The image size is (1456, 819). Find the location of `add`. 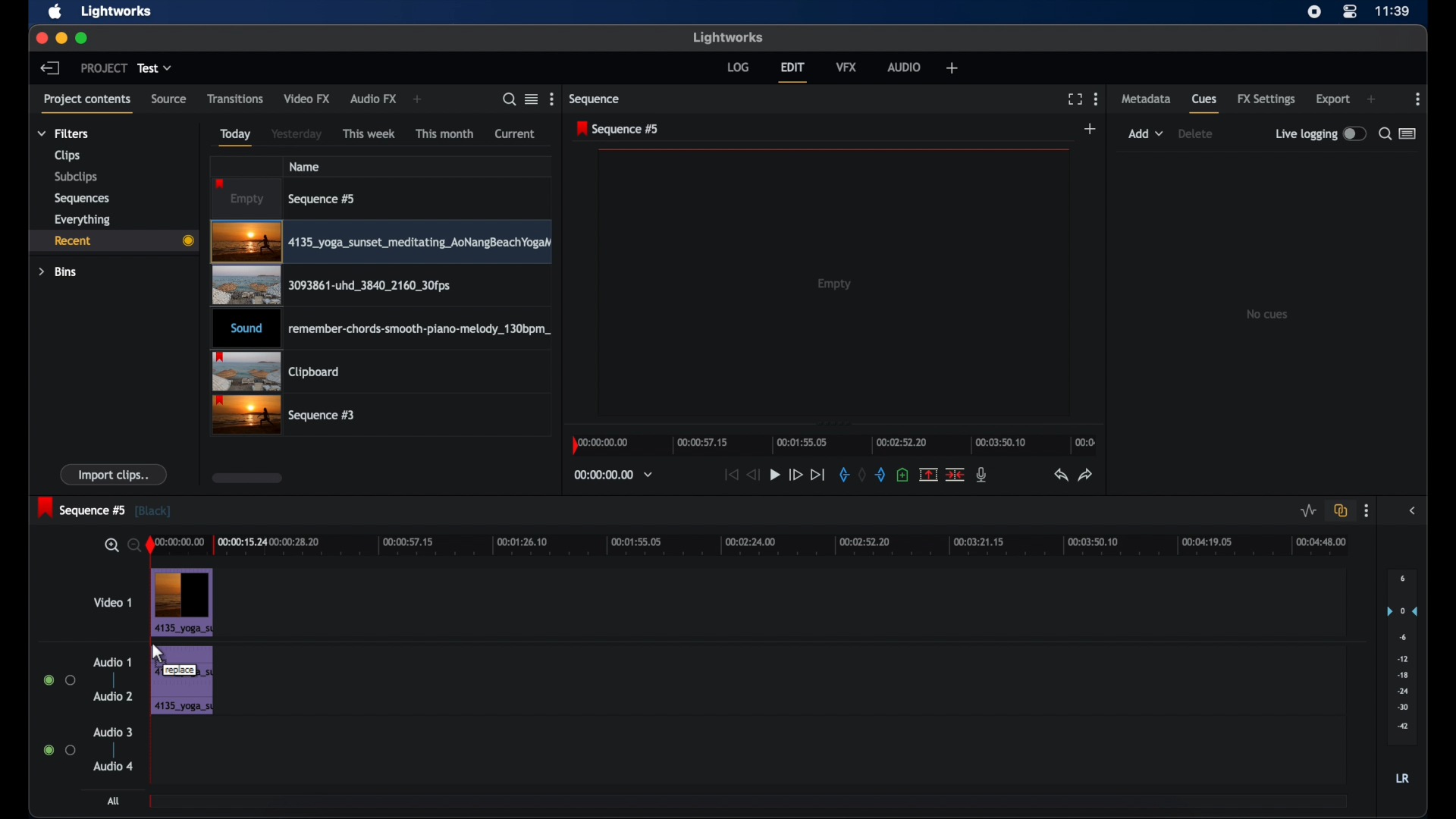

add is located at coordinates (952, 67).